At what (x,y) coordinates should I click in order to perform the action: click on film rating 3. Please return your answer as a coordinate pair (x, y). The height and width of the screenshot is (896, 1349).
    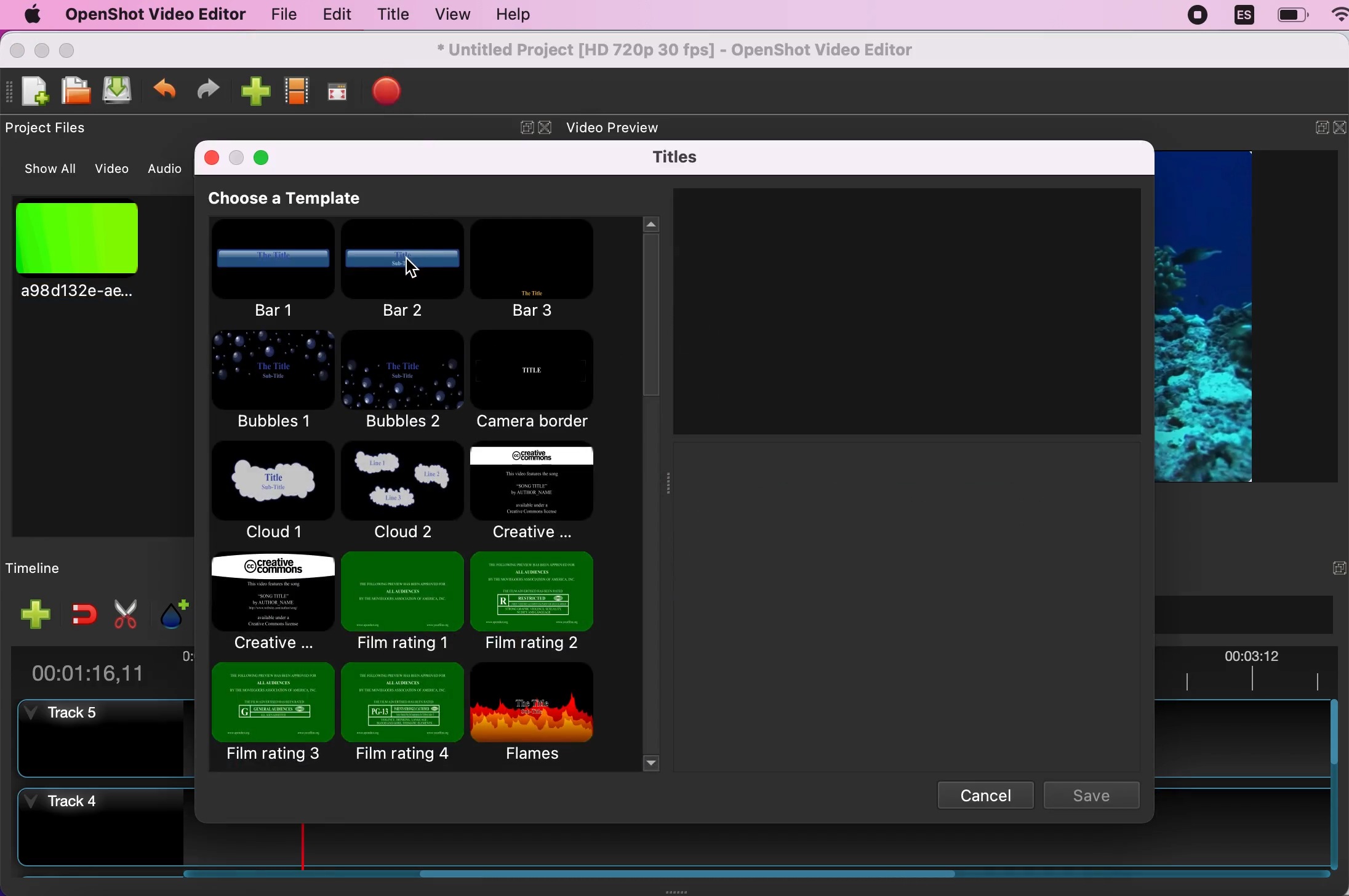
    Looking at the image, I should click on (273, 718).